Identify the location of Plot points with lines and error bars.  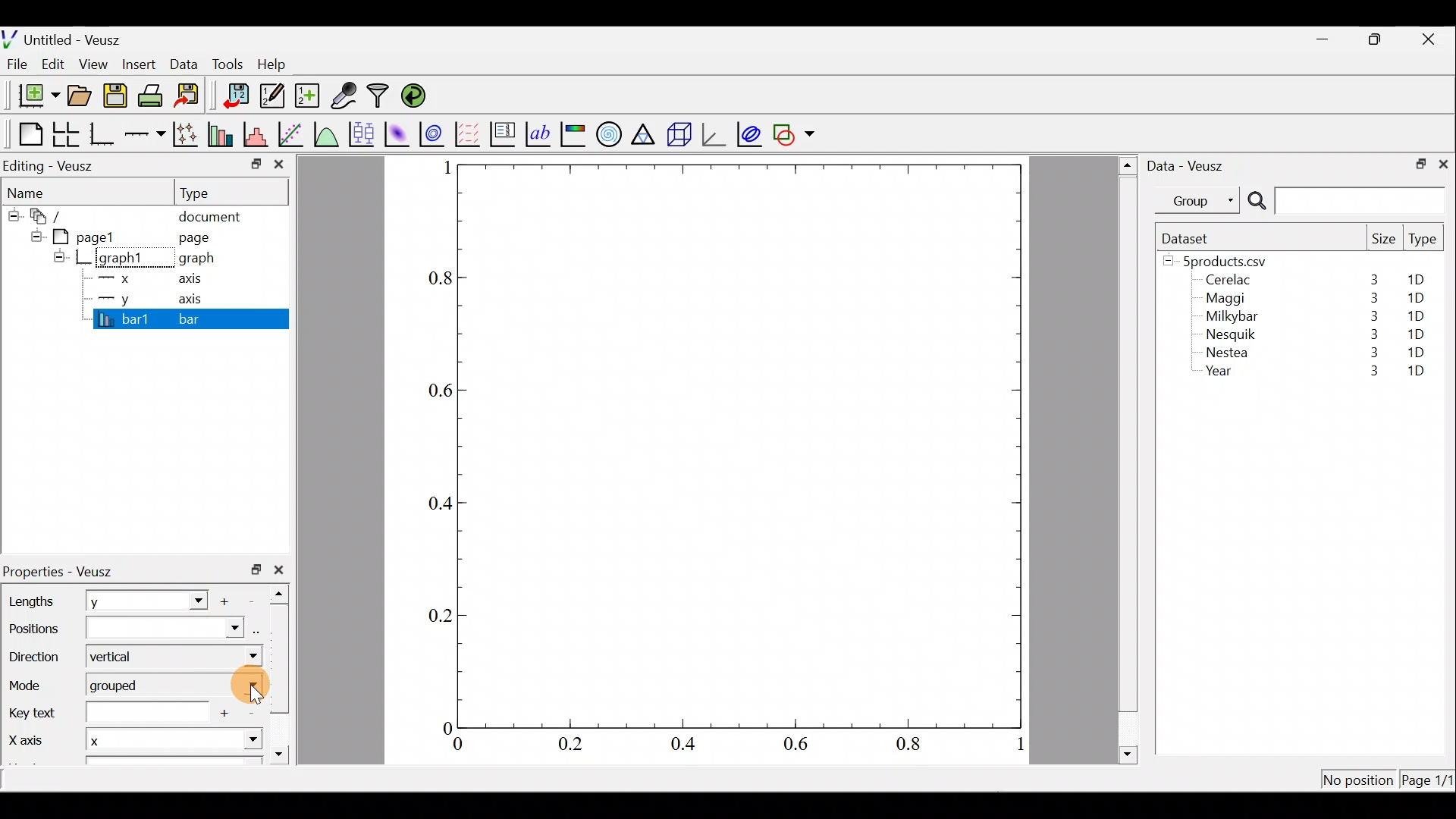
(188, 135).